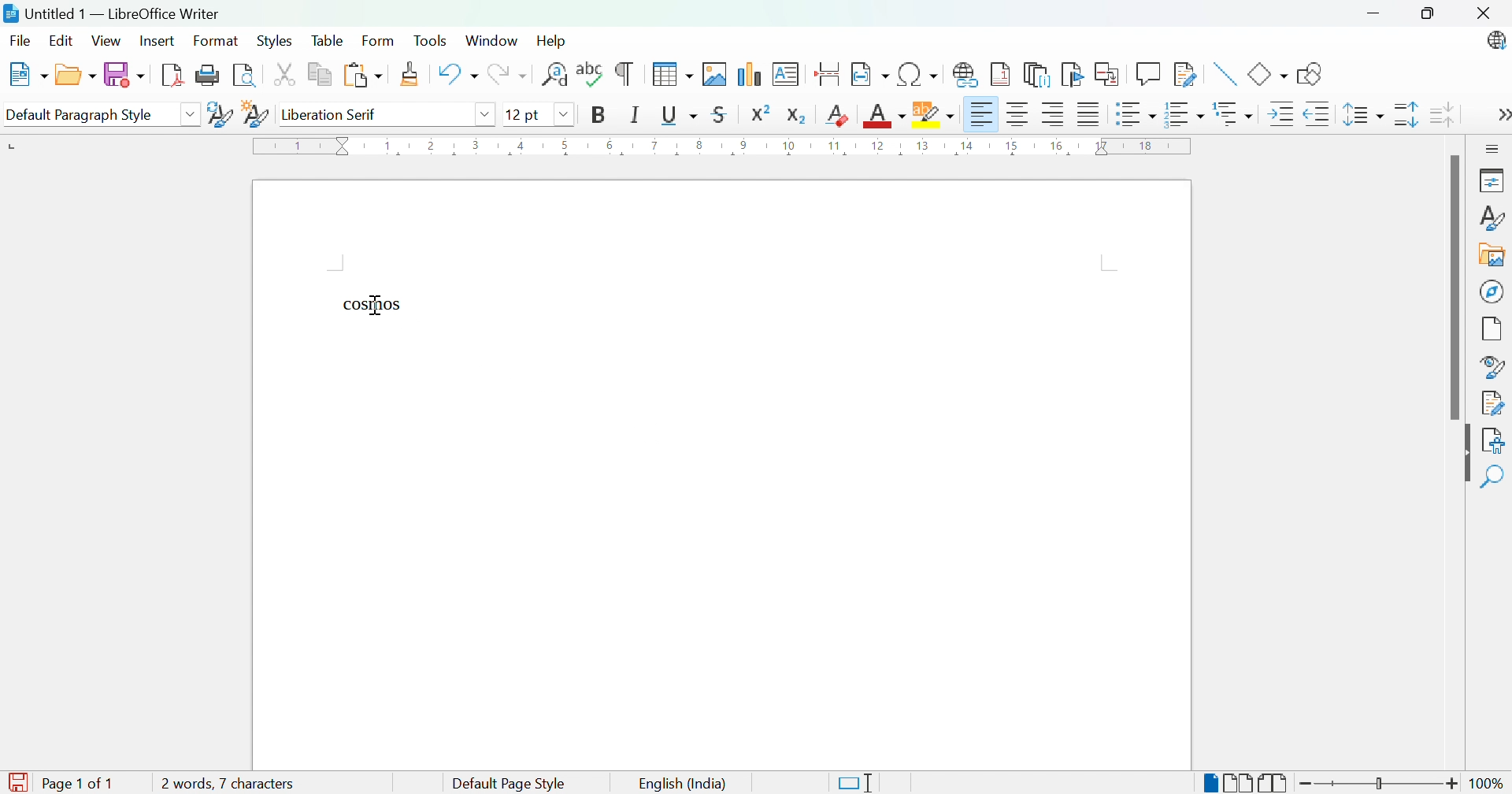  What do you see at coordinates (80, 113) in the screenshot?
I see `Default paragraph style` at bounding box center [80, 113].